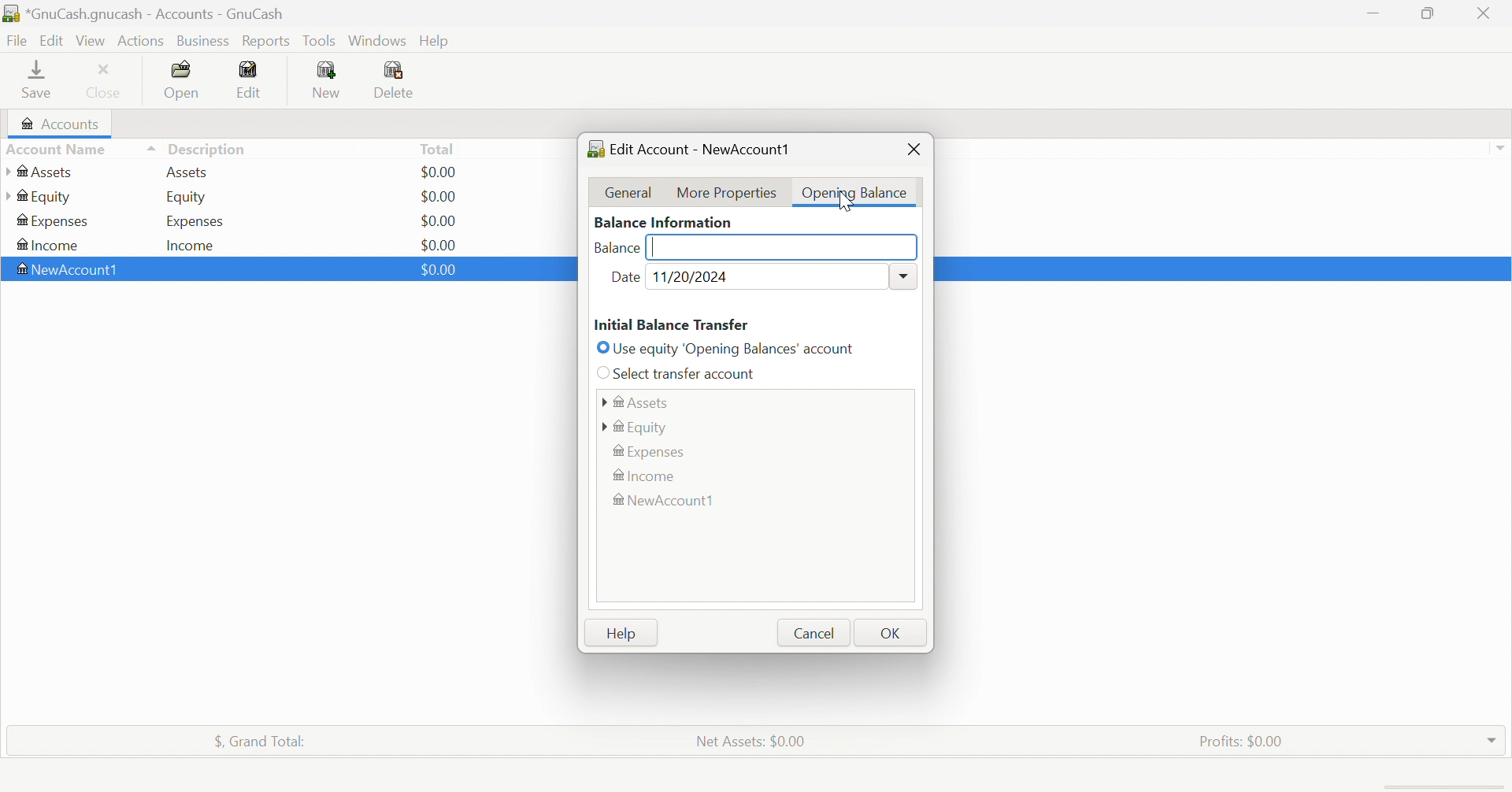  I want to click on $0.00, so click(443, 172).